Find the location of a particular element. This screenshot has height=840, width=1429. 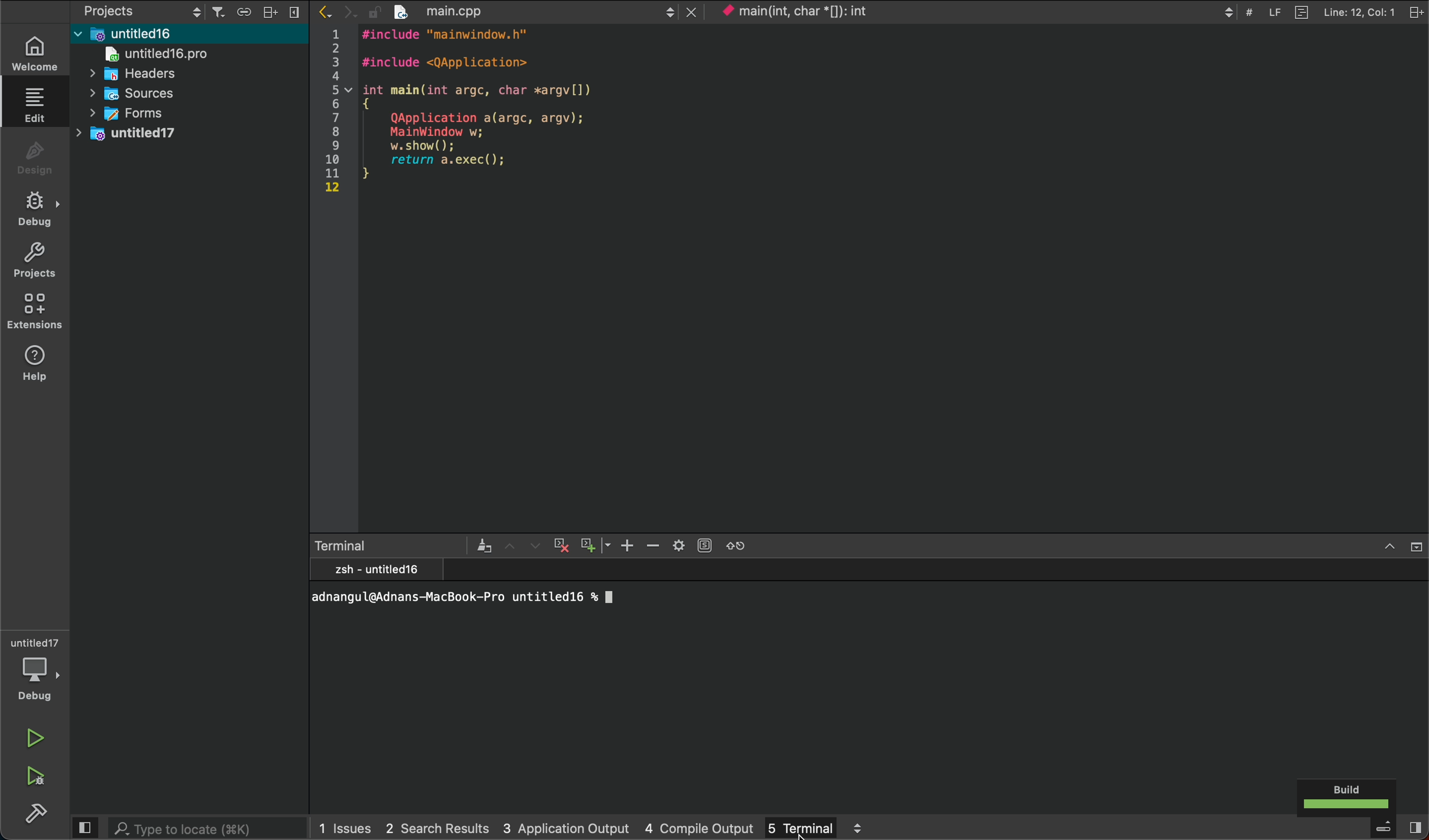

welcome is located at coordinates (33, 54).